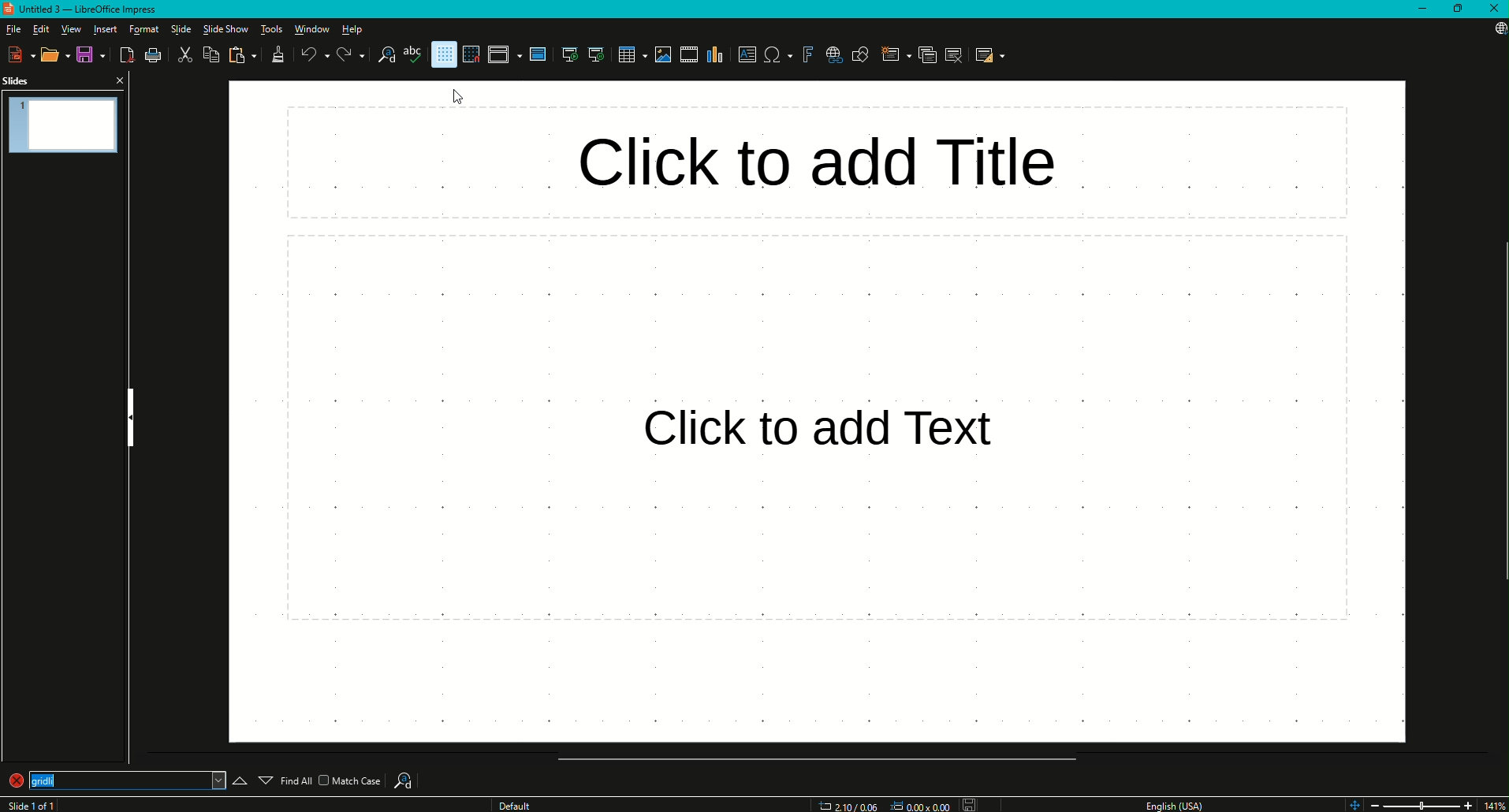  I want to click on Dimensions, so click(879, 805).